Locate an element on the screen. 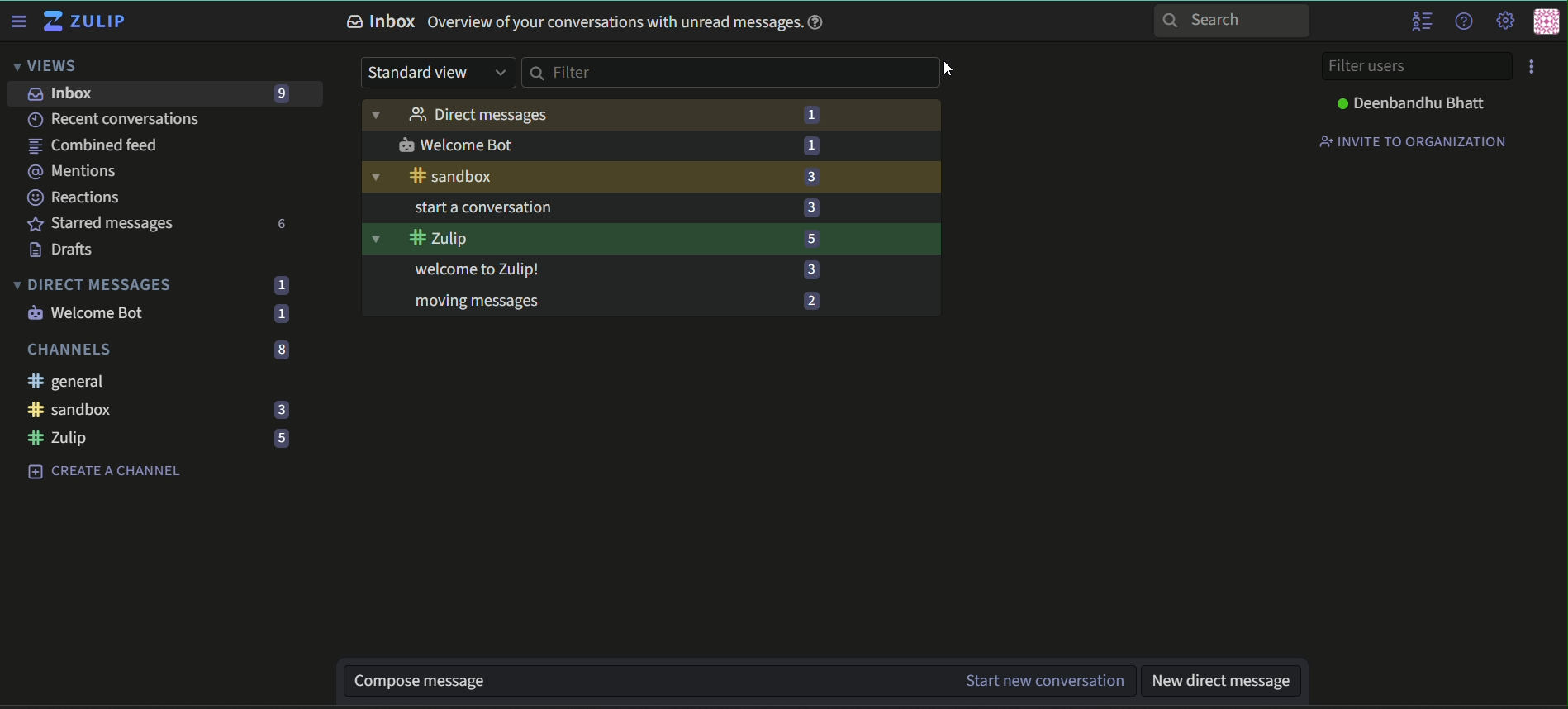 This screenshot has width=1568, height=709. #general is located at coordinates (577, 177).